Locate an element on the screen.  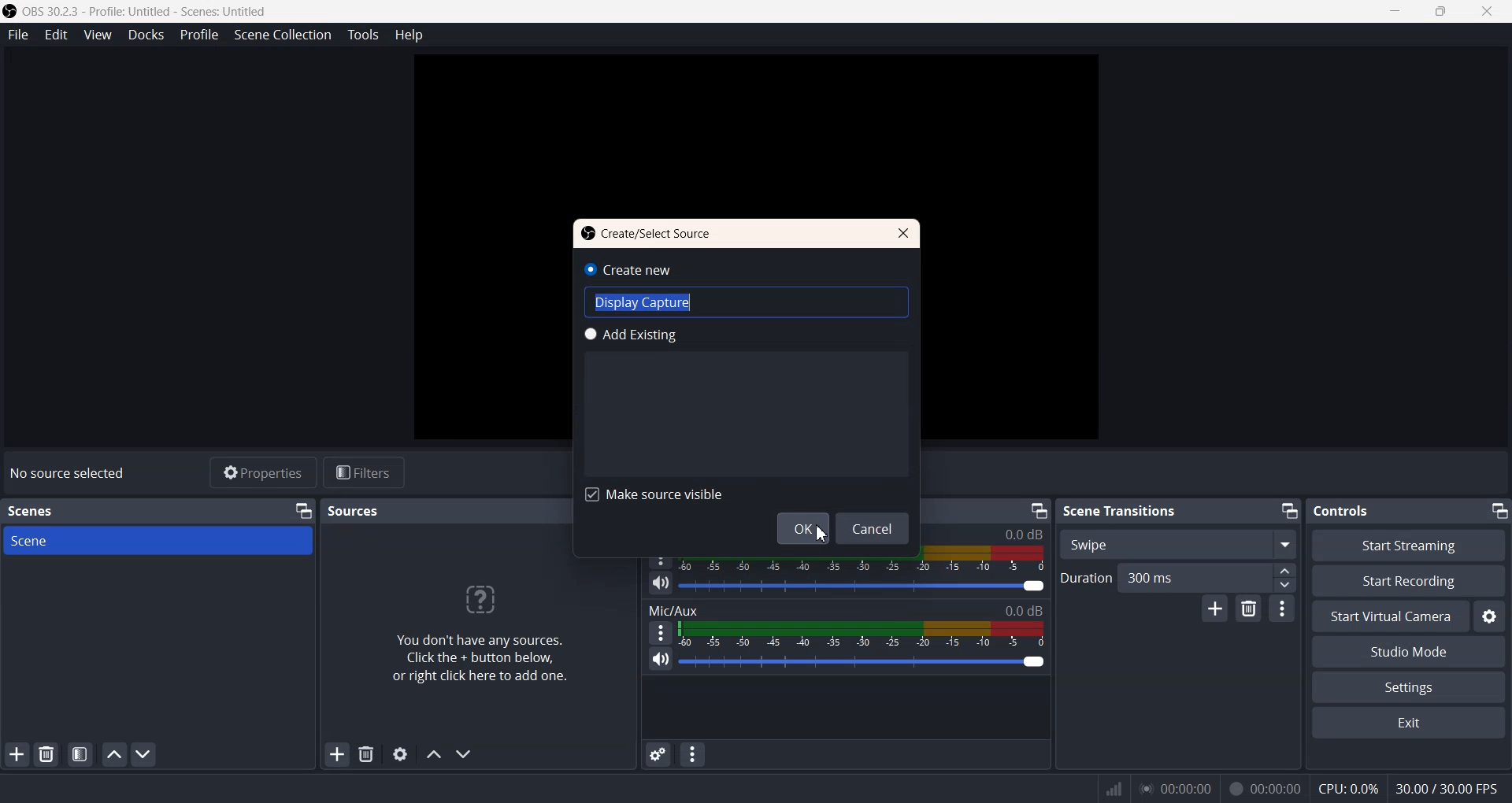
Audio Mixer menu is located at coordinates (693, 754).